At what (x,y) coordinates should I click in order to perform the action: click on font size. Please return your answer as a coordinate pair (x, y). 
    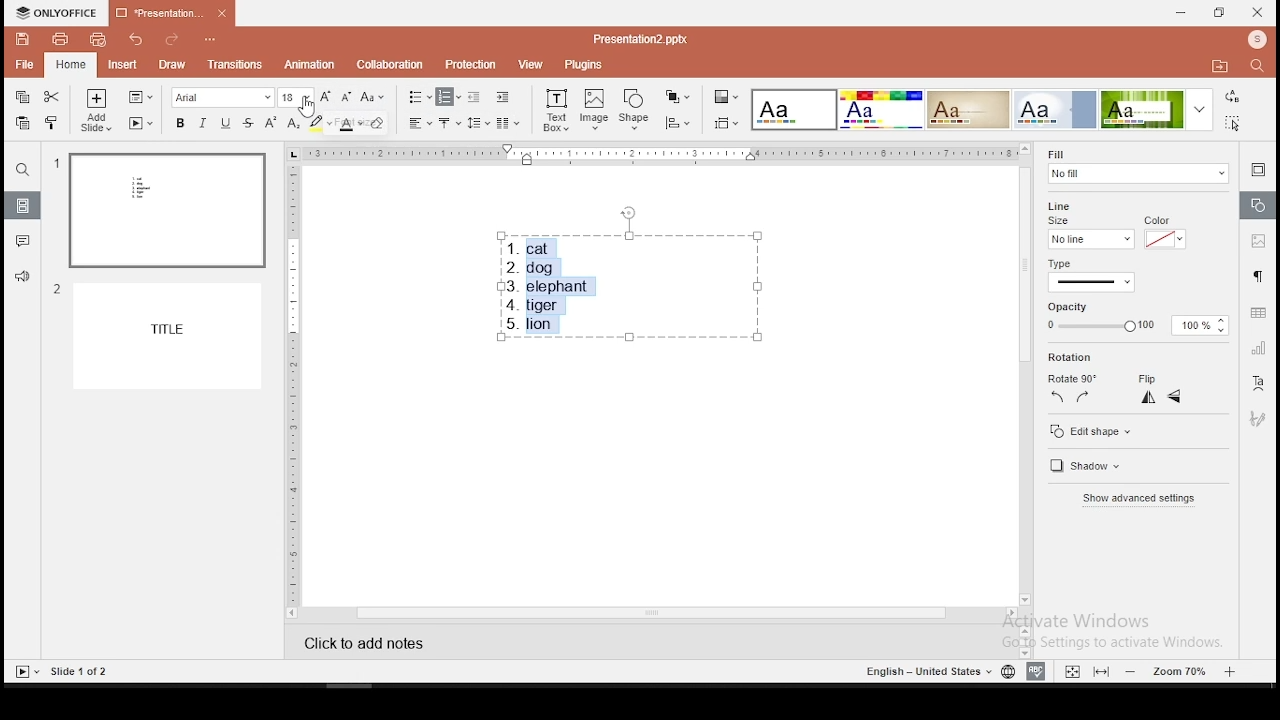
    Looking at the image, I should click on (296, 97).